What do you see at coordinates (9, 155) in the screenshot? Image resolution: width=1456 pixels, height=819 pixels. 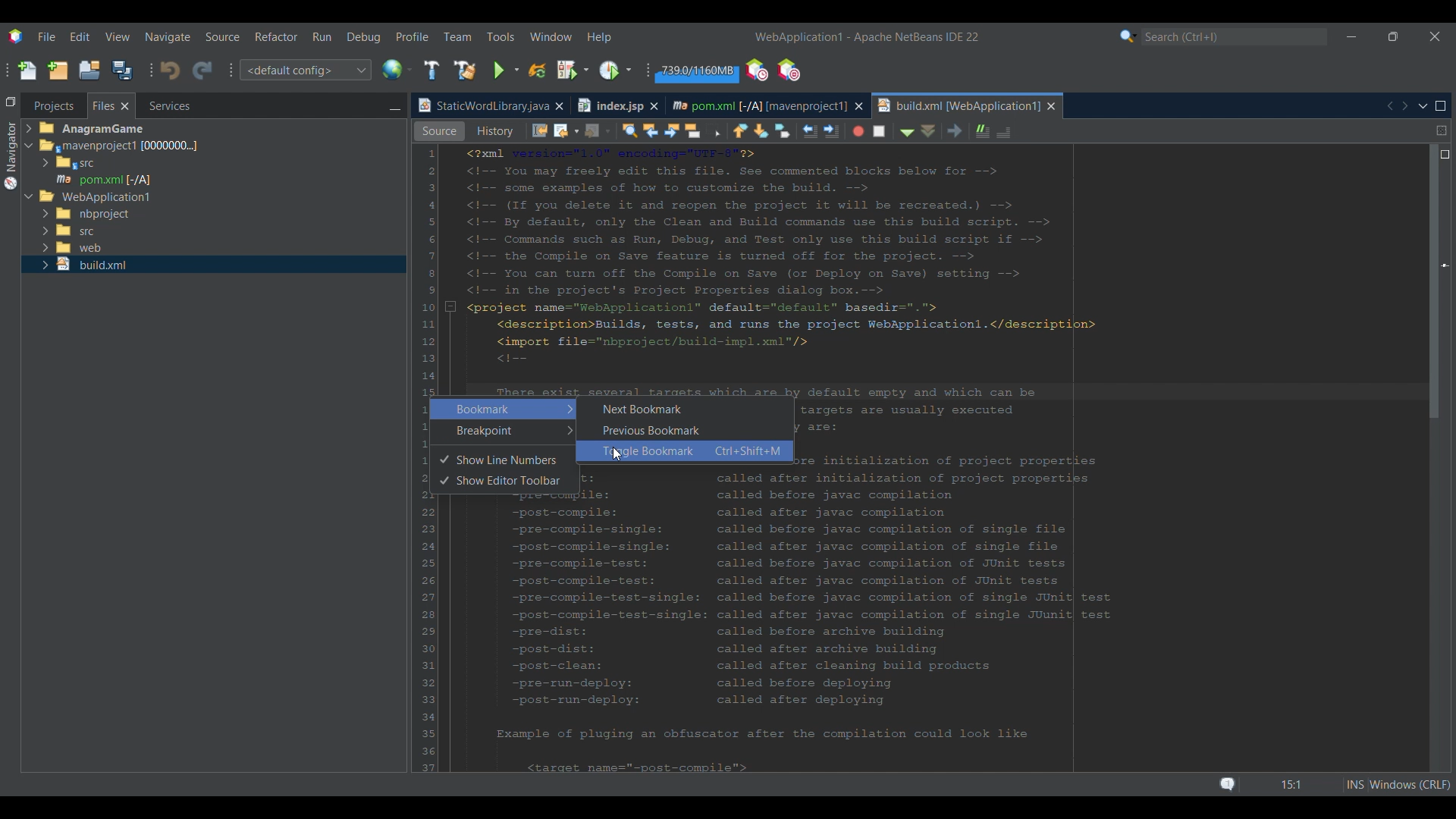 I see `Navigator menu` at bounding box center [9, 155].